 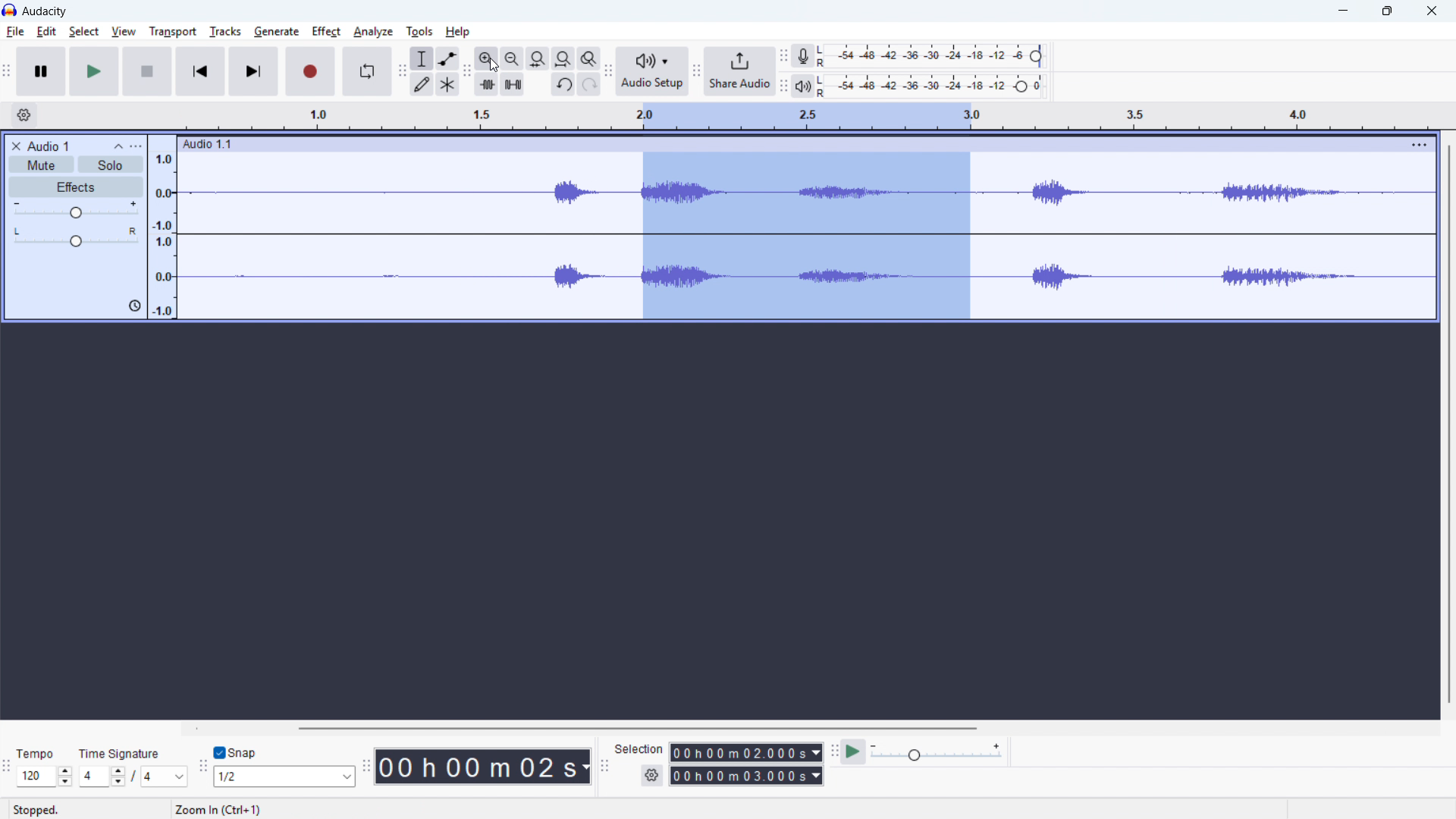 I want to click on Audio selection zoomed in, so click(x=808, y=240).